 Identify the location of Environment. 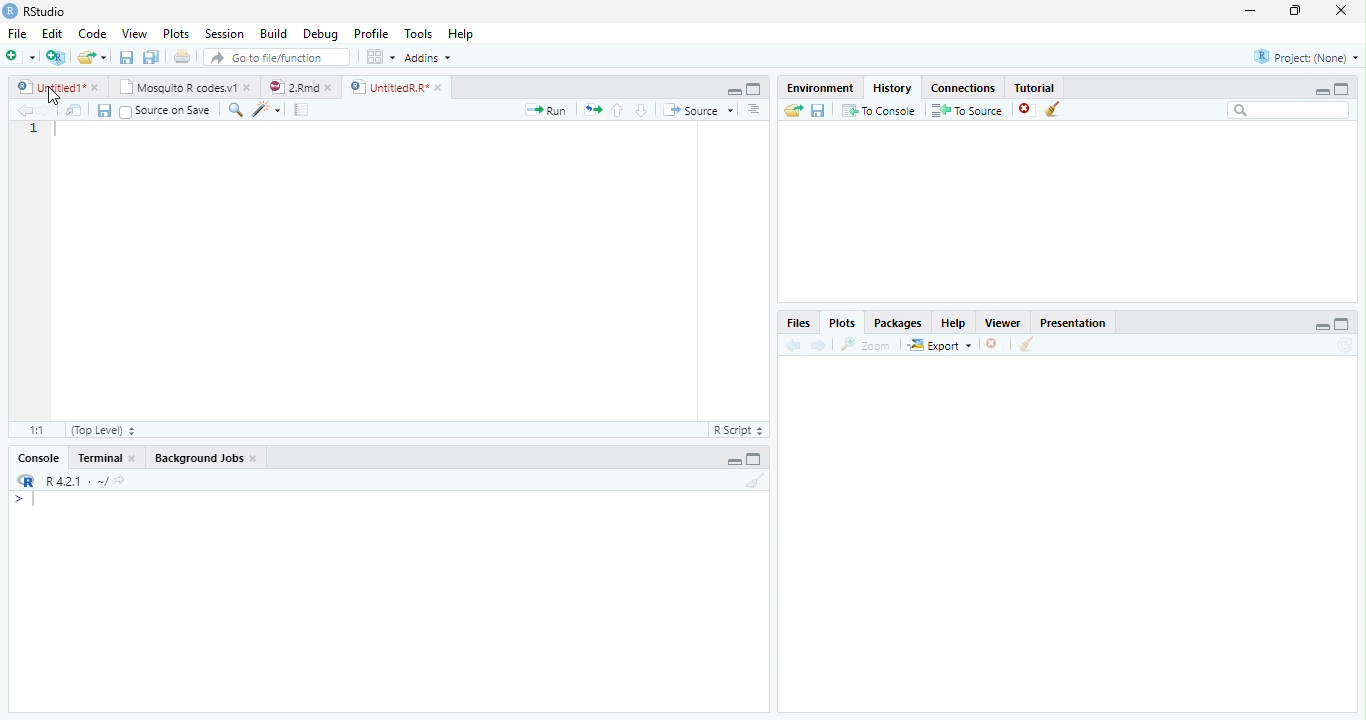
(820, 88).